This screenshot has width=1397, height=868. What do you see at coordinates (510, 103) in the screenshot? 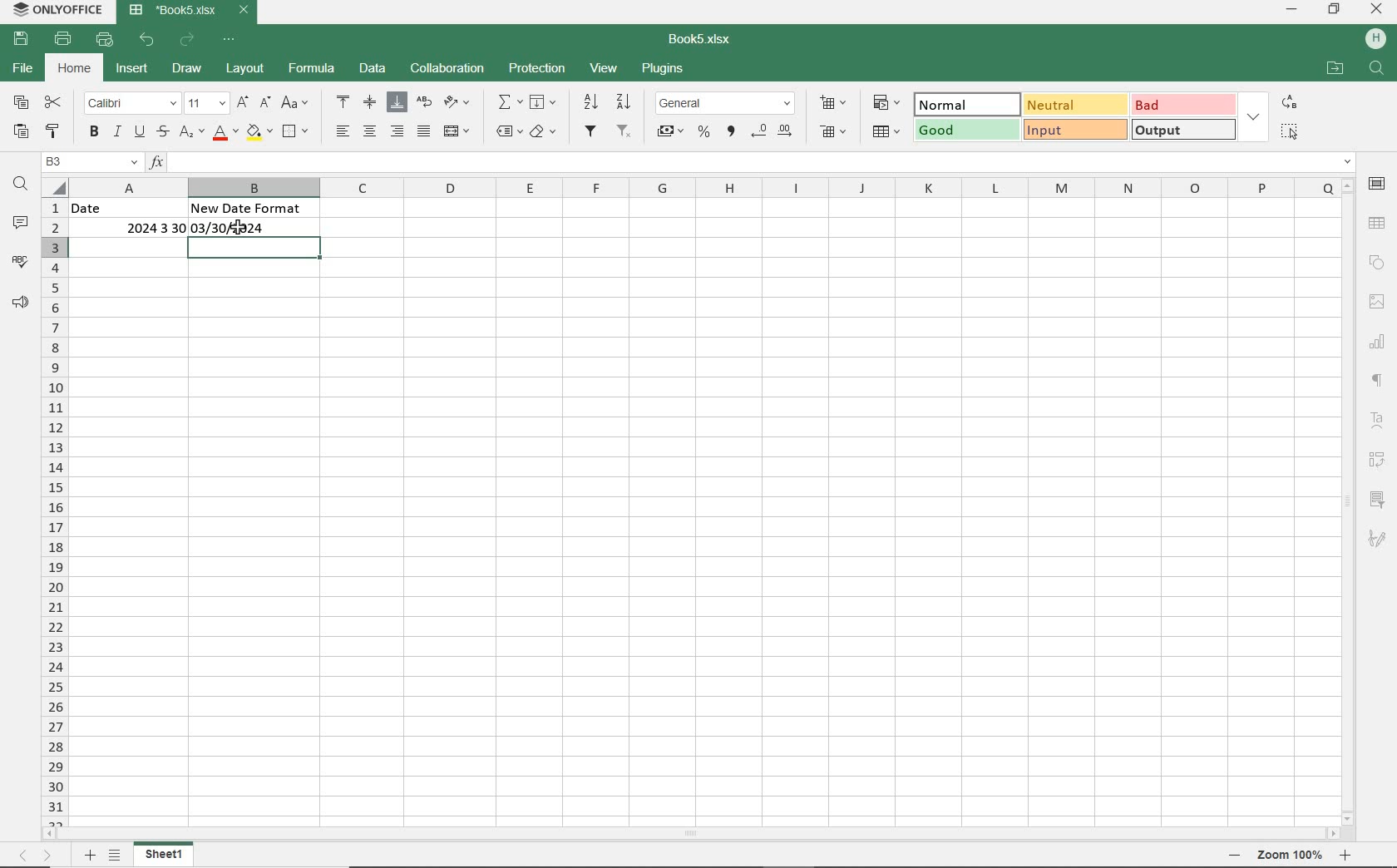
I see `SUMMATION` at bounding box center [510, 103].